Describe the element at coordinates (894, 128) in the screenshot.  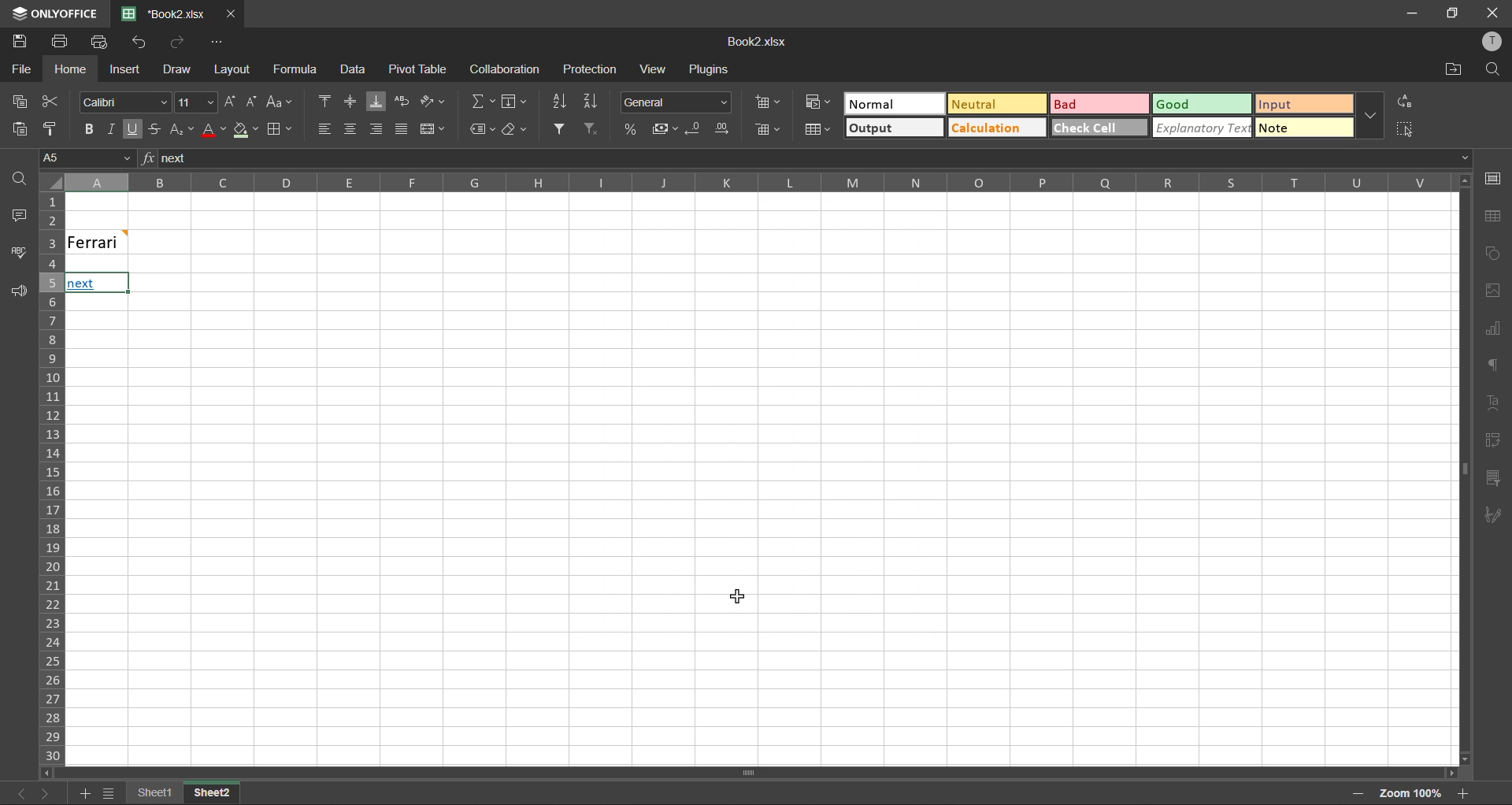
I see `output` at that location.